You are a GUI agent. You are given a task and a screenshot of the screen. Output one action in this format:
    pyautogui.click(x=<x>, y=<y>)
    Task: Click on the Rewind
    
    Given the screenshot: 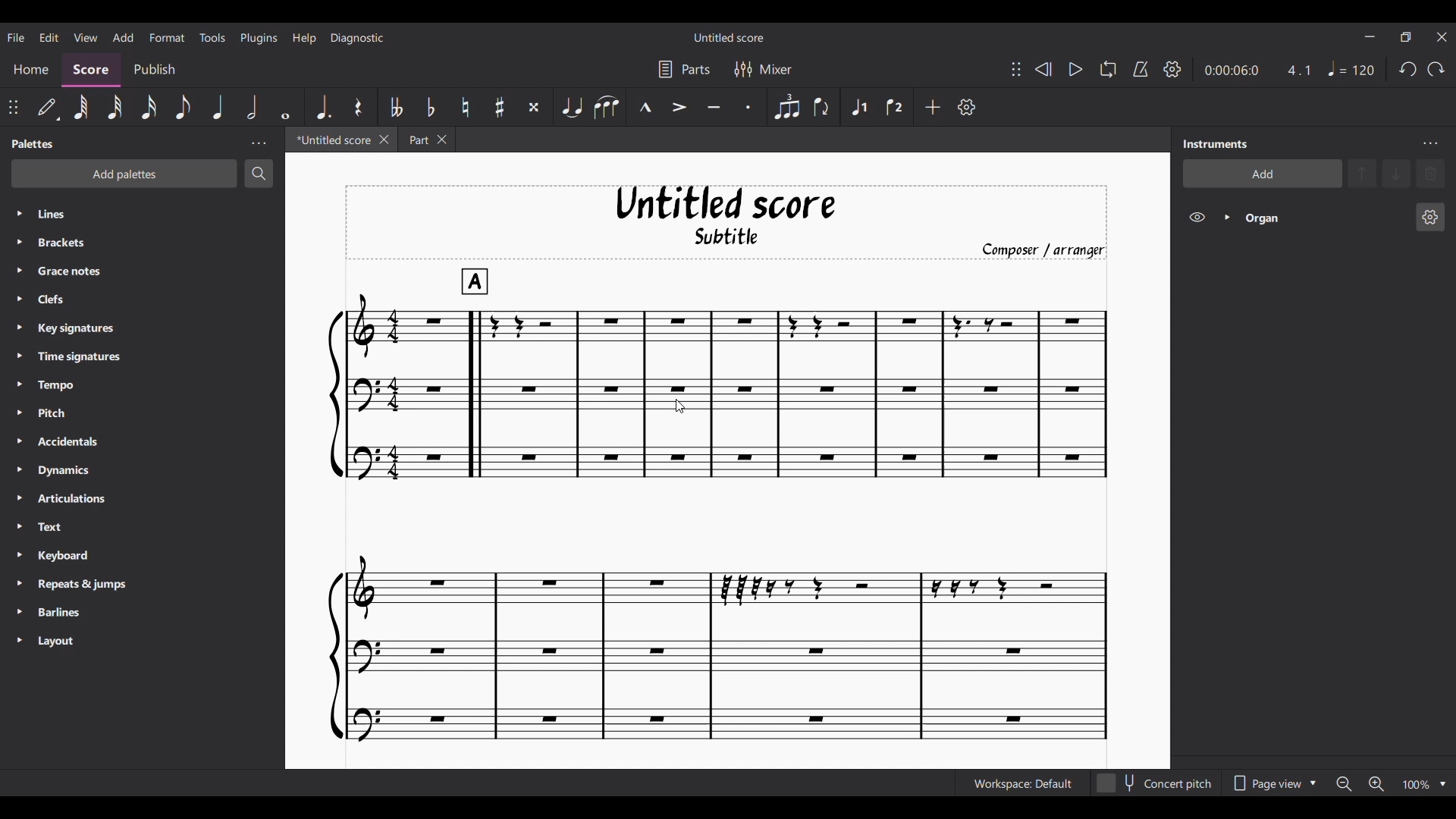 What is the action you would take?
    pyautogui.click(x=1043, y=70)
    